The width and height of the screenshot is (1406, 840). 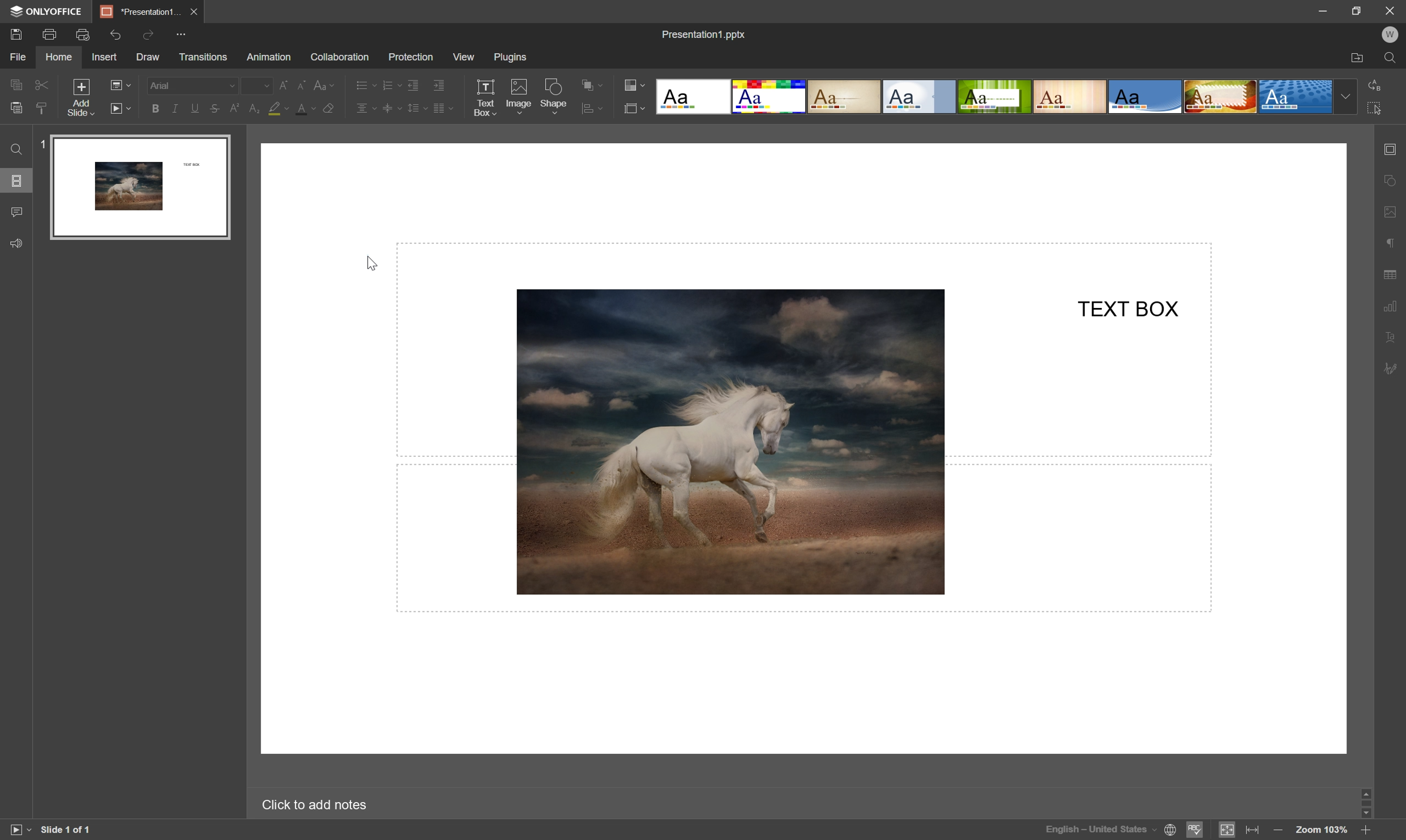 What do you see at coordinates (194, 110) in the screenshot?
I see `underline` at bounding box center [194, 110].